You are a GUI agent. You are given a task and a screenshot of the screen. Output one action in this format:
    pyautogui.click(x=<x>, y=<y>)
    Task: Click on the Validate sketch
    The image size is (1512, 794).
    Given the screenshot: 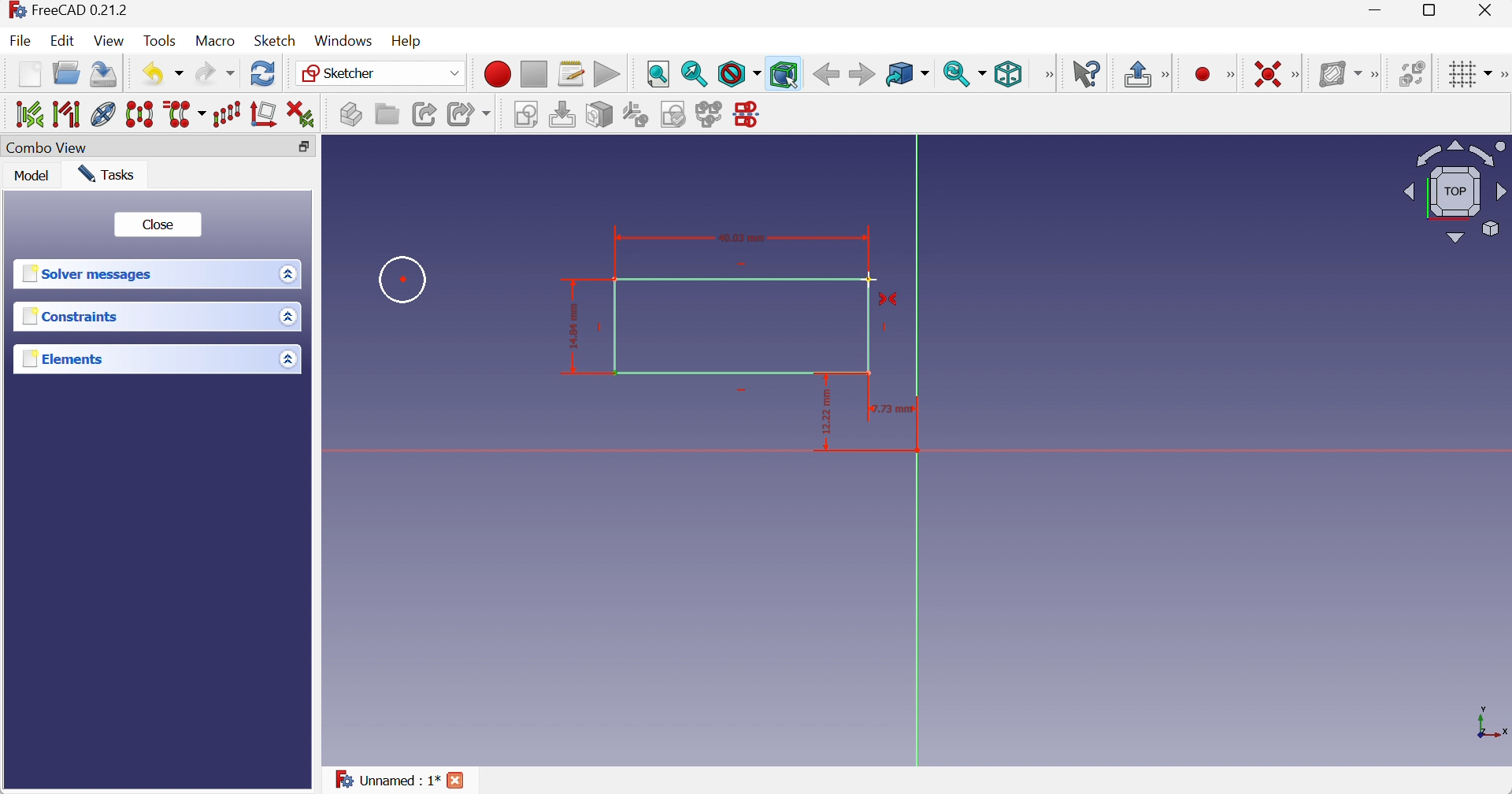 What is the action you would take?
    pyautogui.click(x=675, y=114)
    